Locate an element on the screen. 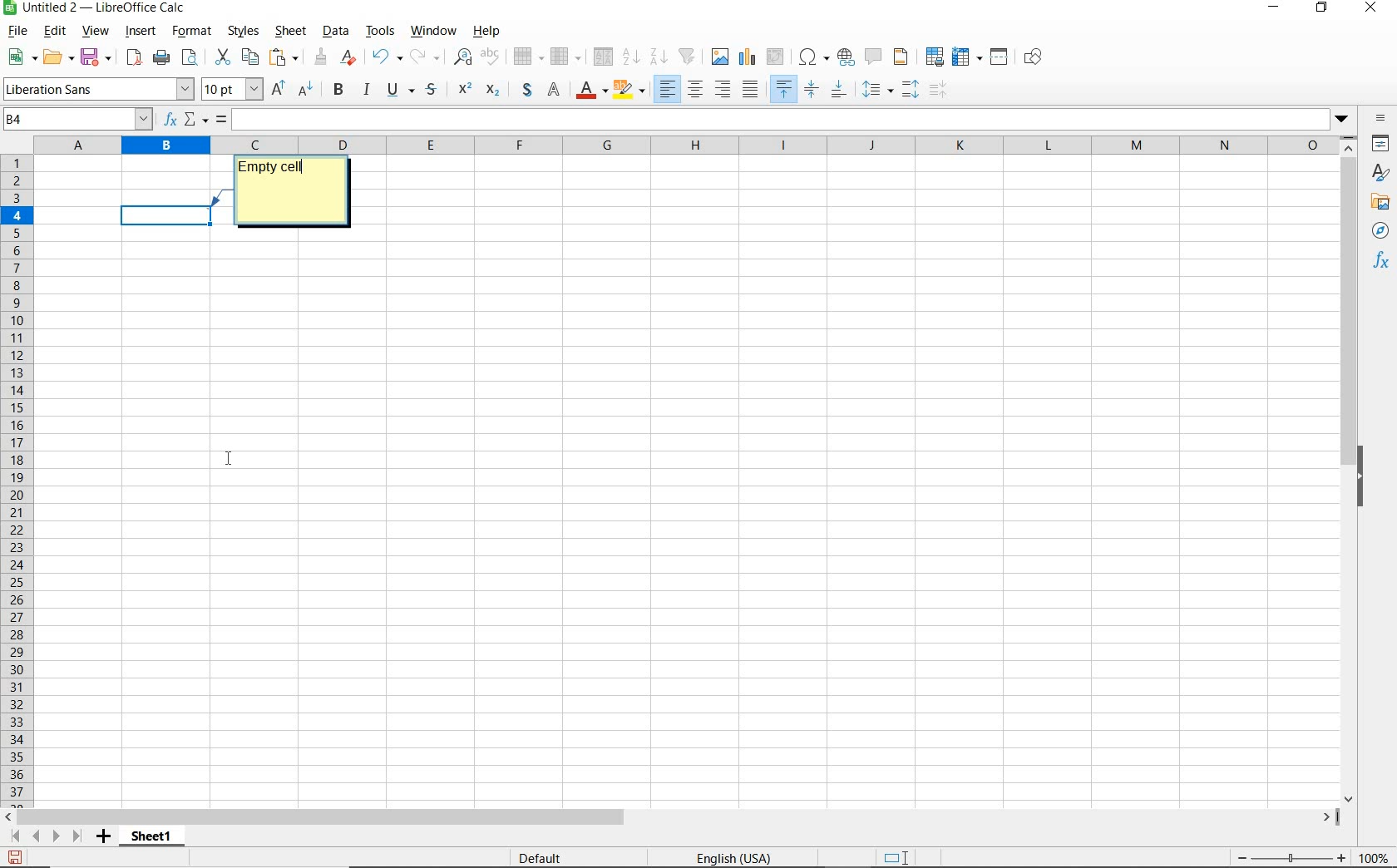  toggle print preview is located at coordinates (190, 57).